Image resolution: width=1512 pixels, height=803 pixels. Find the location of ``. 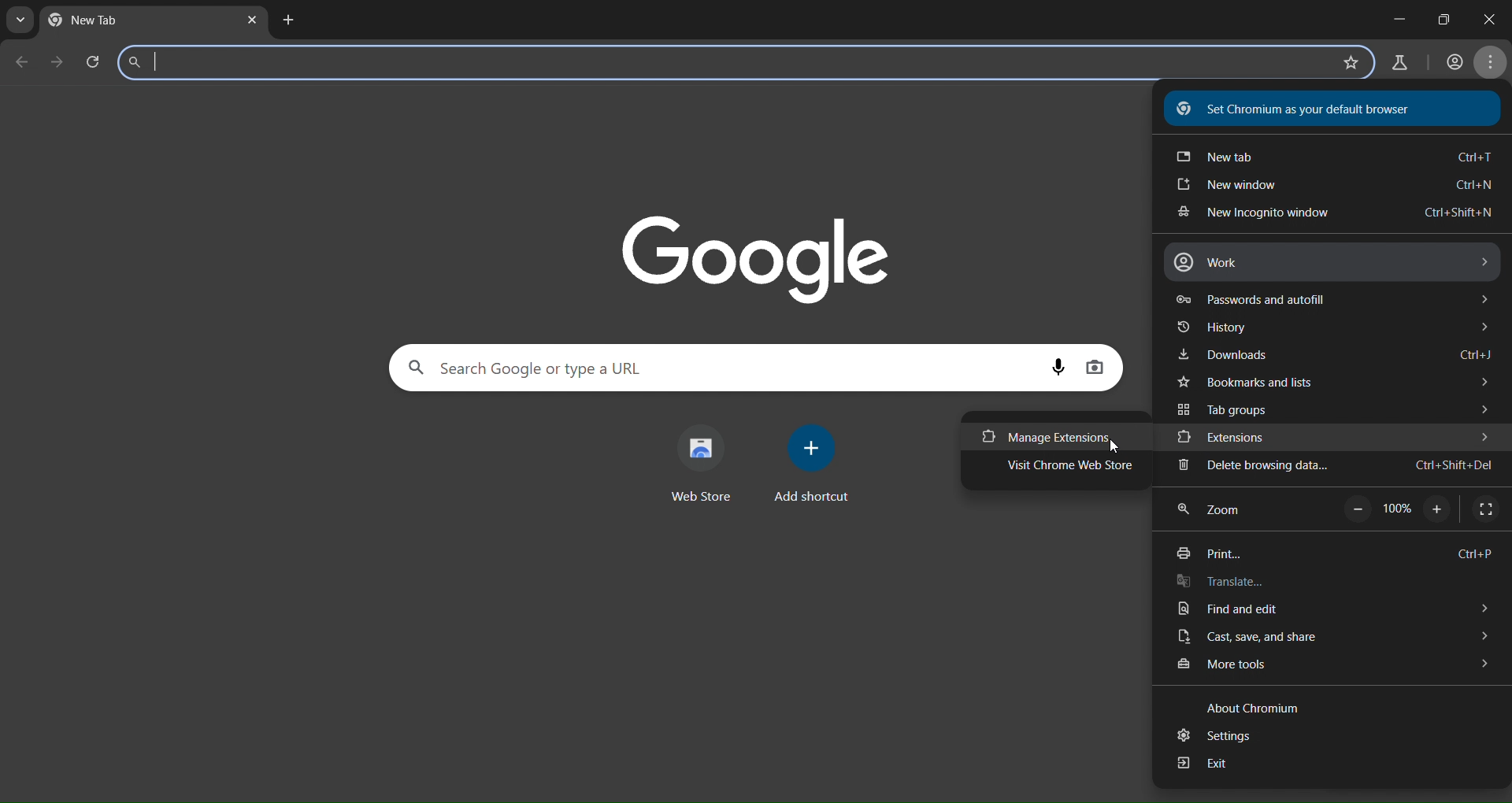

 is located at coordinates (1399, 508).